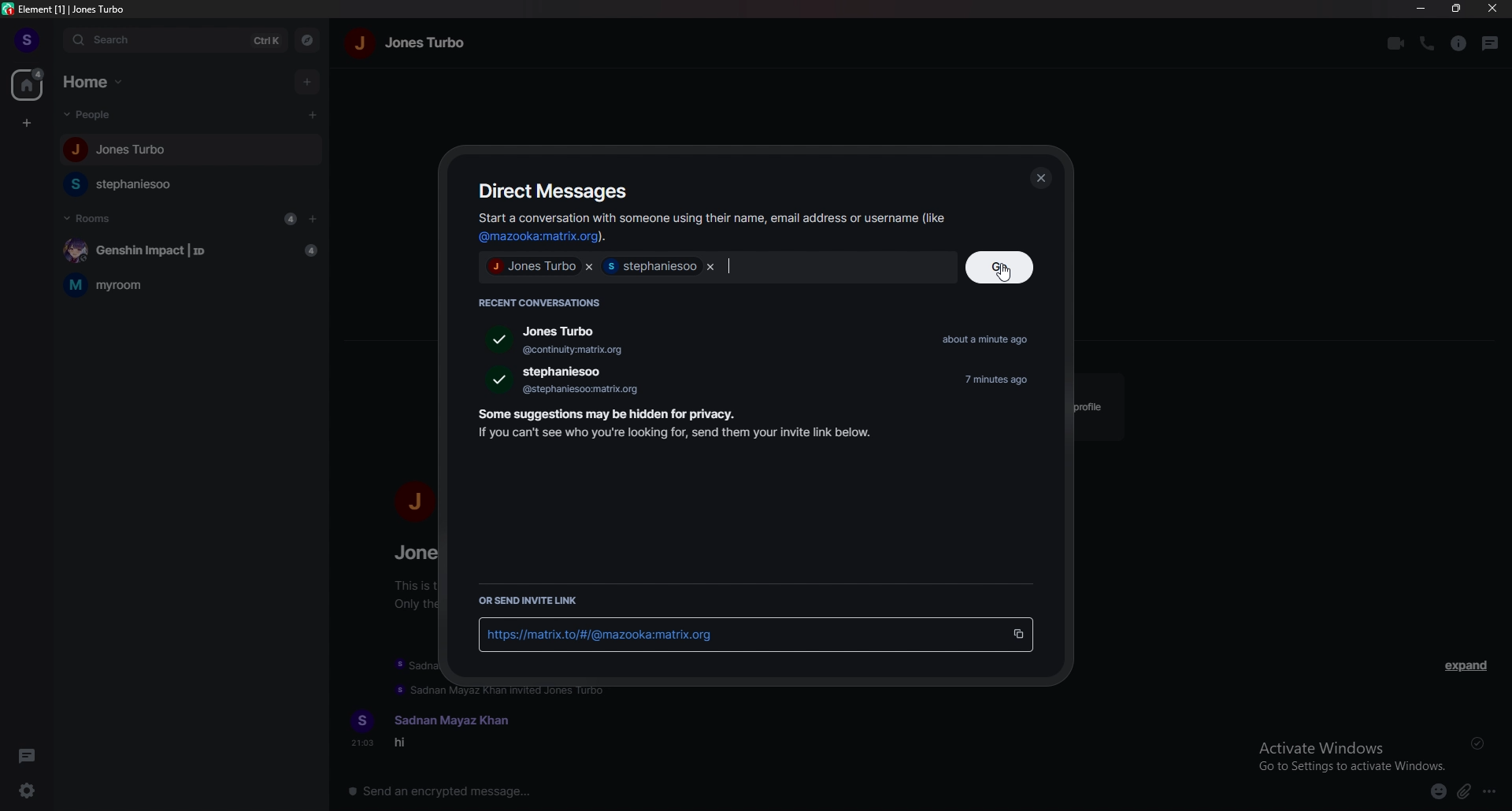  I want to click on stephanies00 @stephaniesoo:matrix.org, so click(573, 381).